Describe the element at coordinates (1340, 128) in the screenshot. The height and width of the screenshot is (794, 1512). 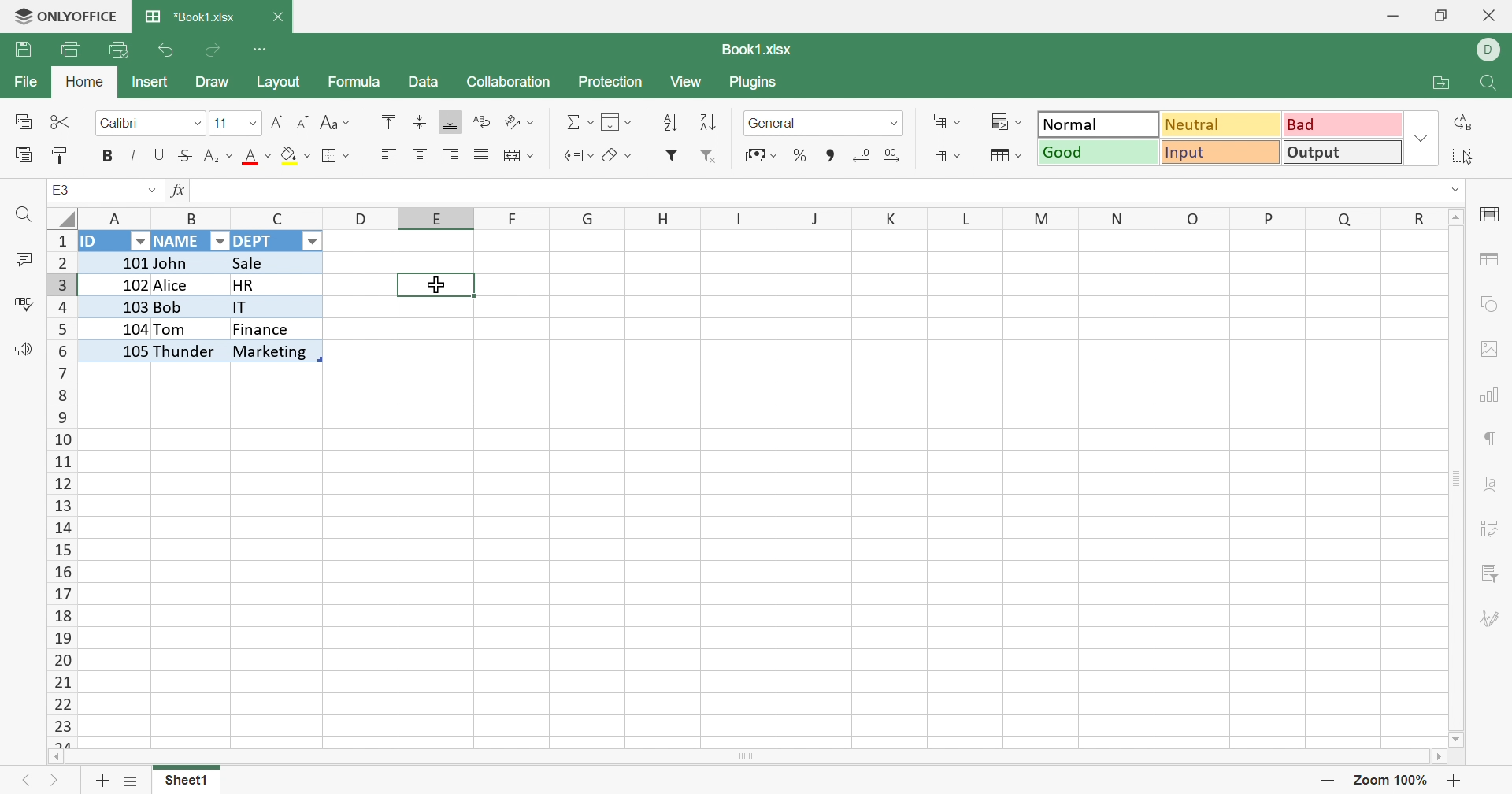
I see `Bad` at that location.